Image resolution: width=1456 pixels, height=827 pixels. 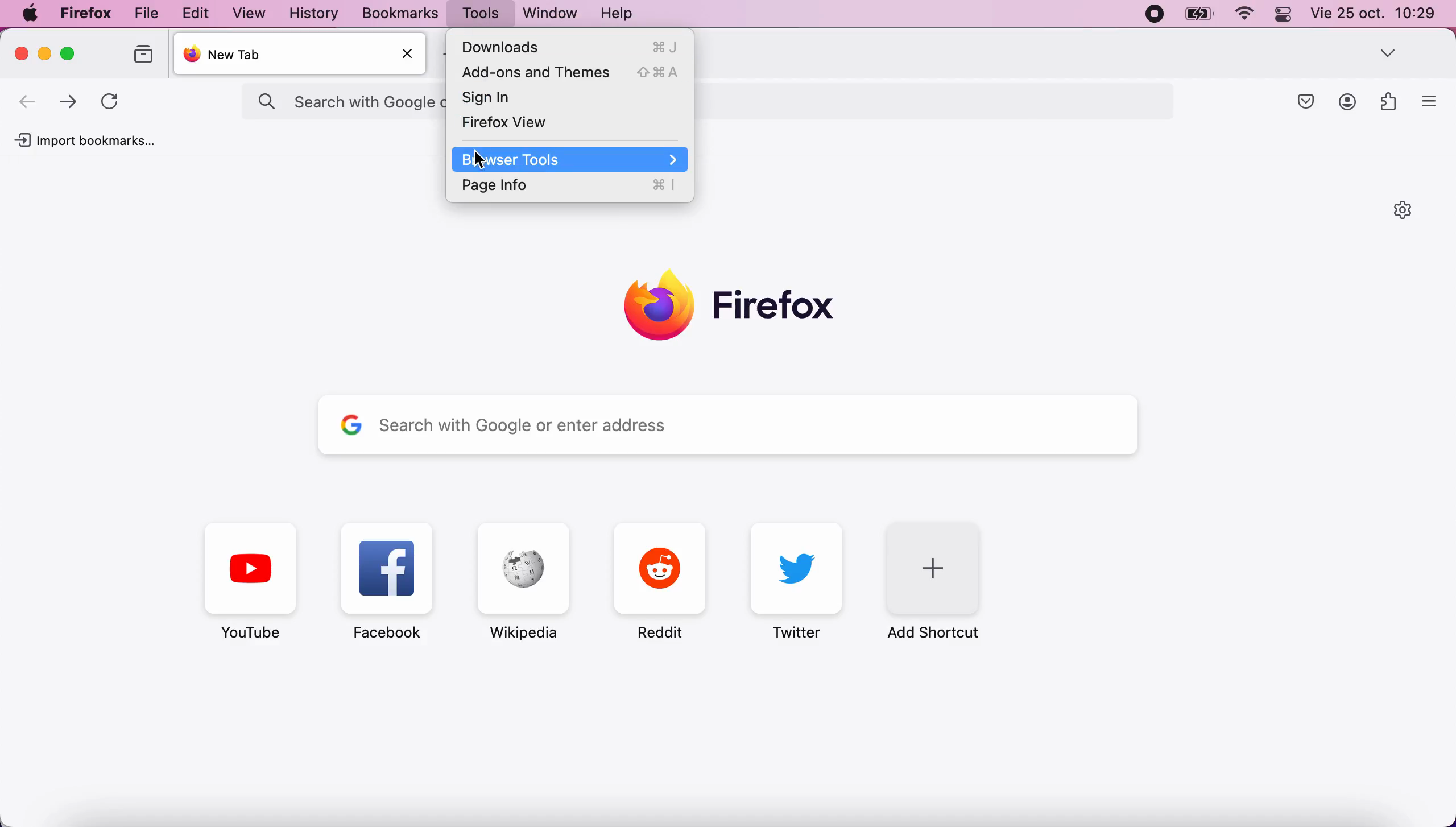 I want to click on Widget, so click(x=1390, y=101).